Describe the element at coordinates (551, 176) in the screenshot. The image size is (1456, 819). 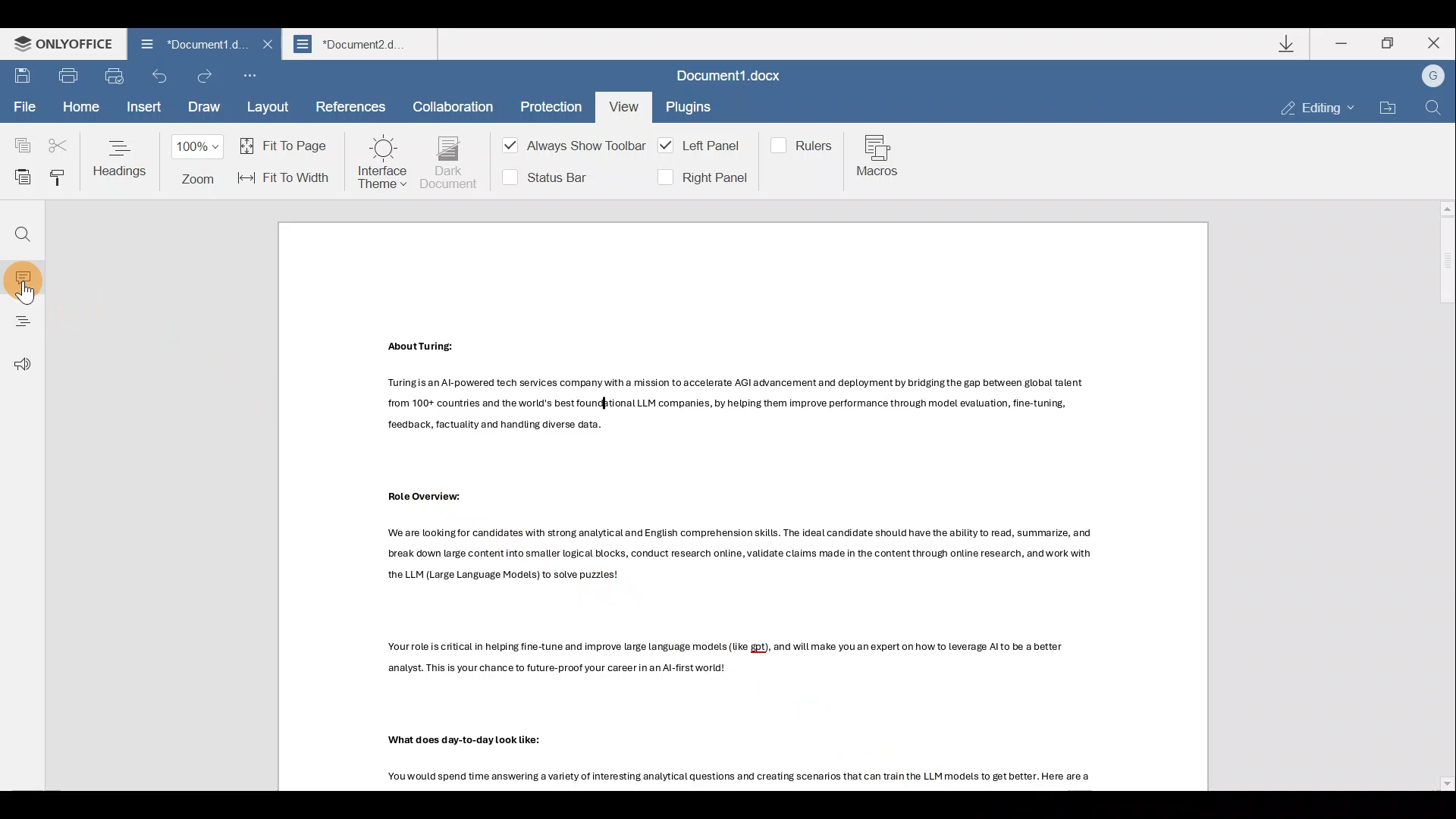
I see `Status bar` at that location.